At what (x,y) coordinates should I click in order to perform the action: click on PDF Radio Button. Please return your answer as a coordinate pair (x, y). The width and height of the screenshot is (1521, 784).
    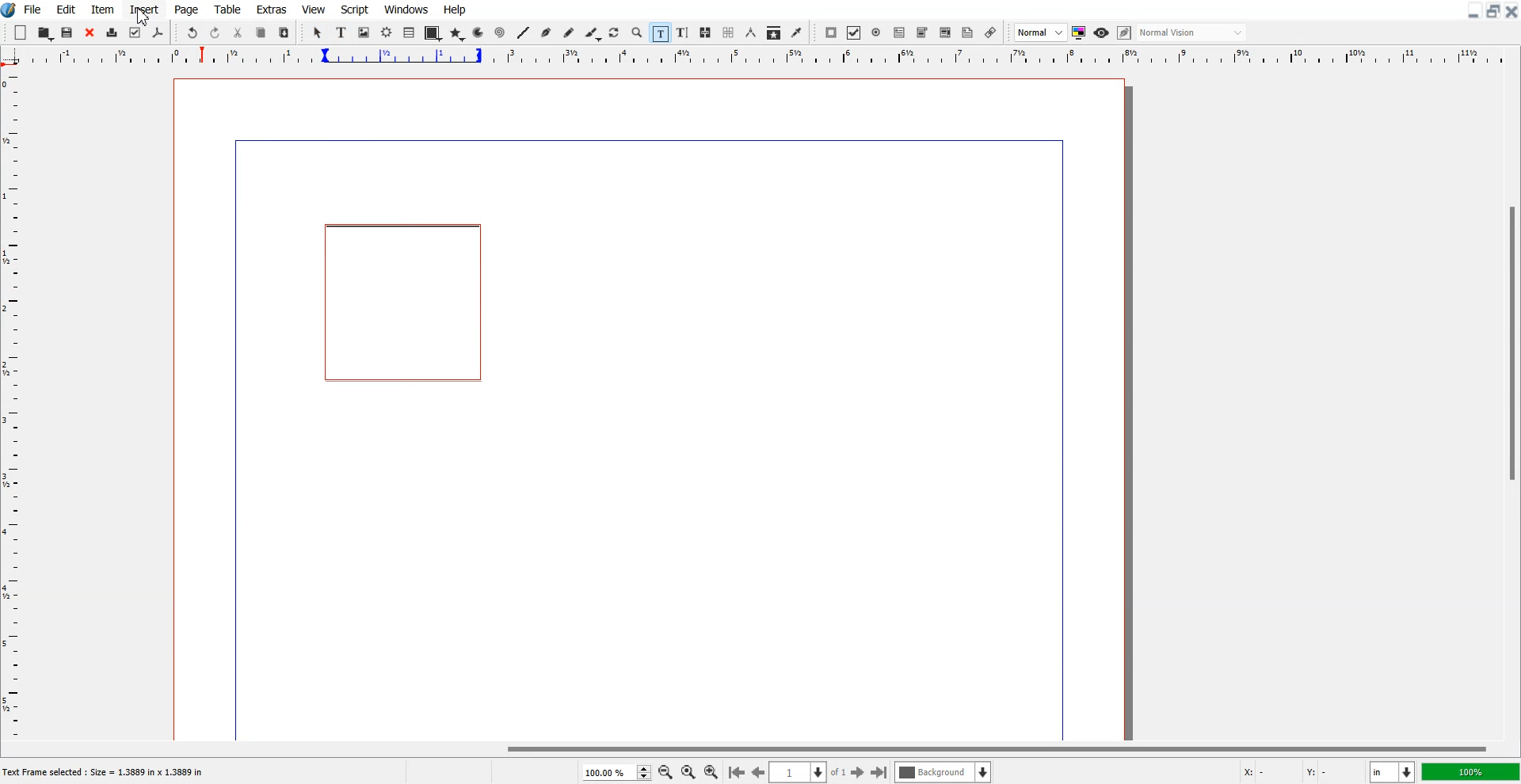
    Looking at the image, I should click on (877, 32).